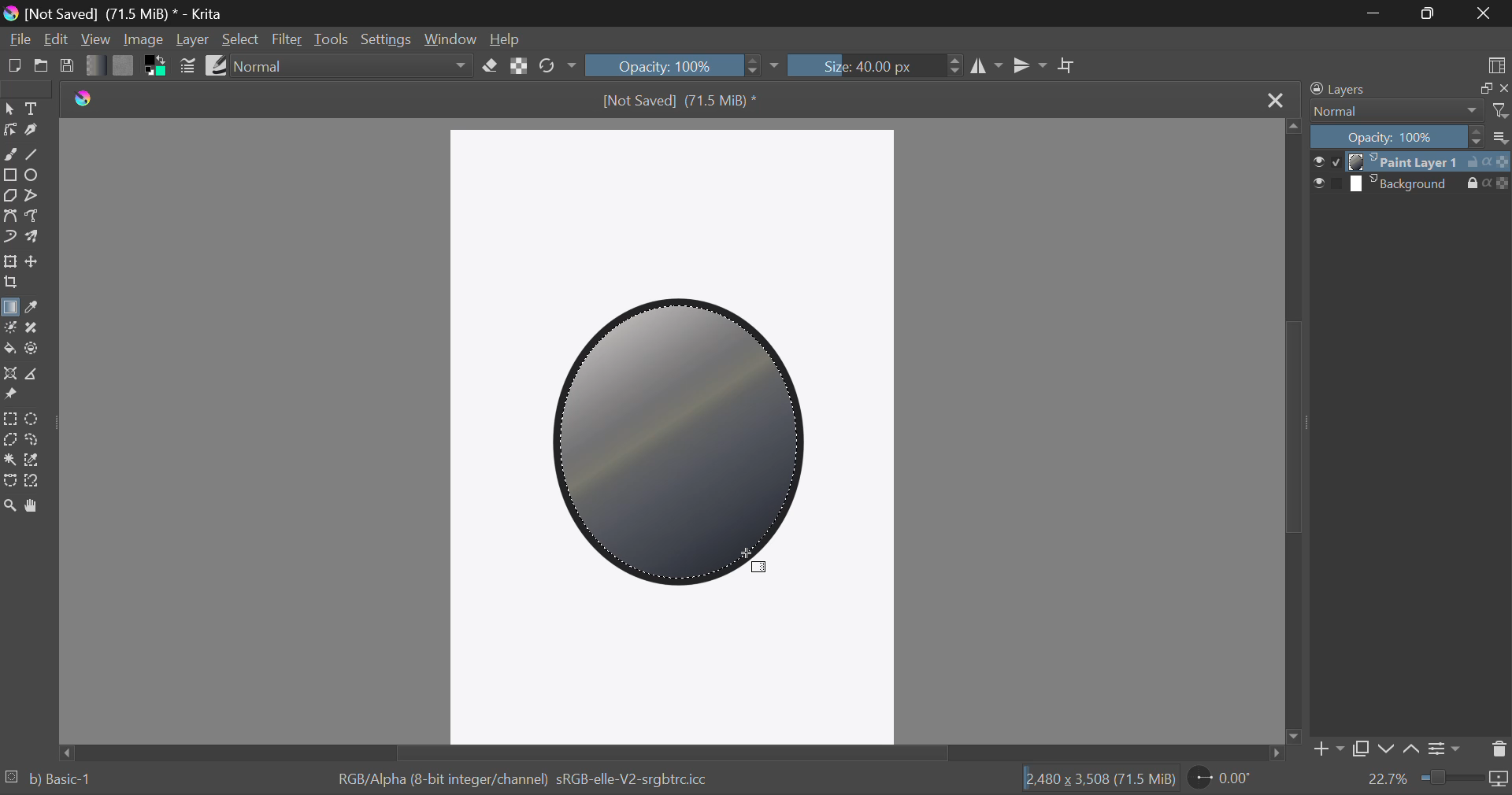 The image size is (1512, 795). Describe the element at coordinates (124, 15) in the screenshot. I see `[Not Saved] (71.5 MiB) * - Krita` at that location.